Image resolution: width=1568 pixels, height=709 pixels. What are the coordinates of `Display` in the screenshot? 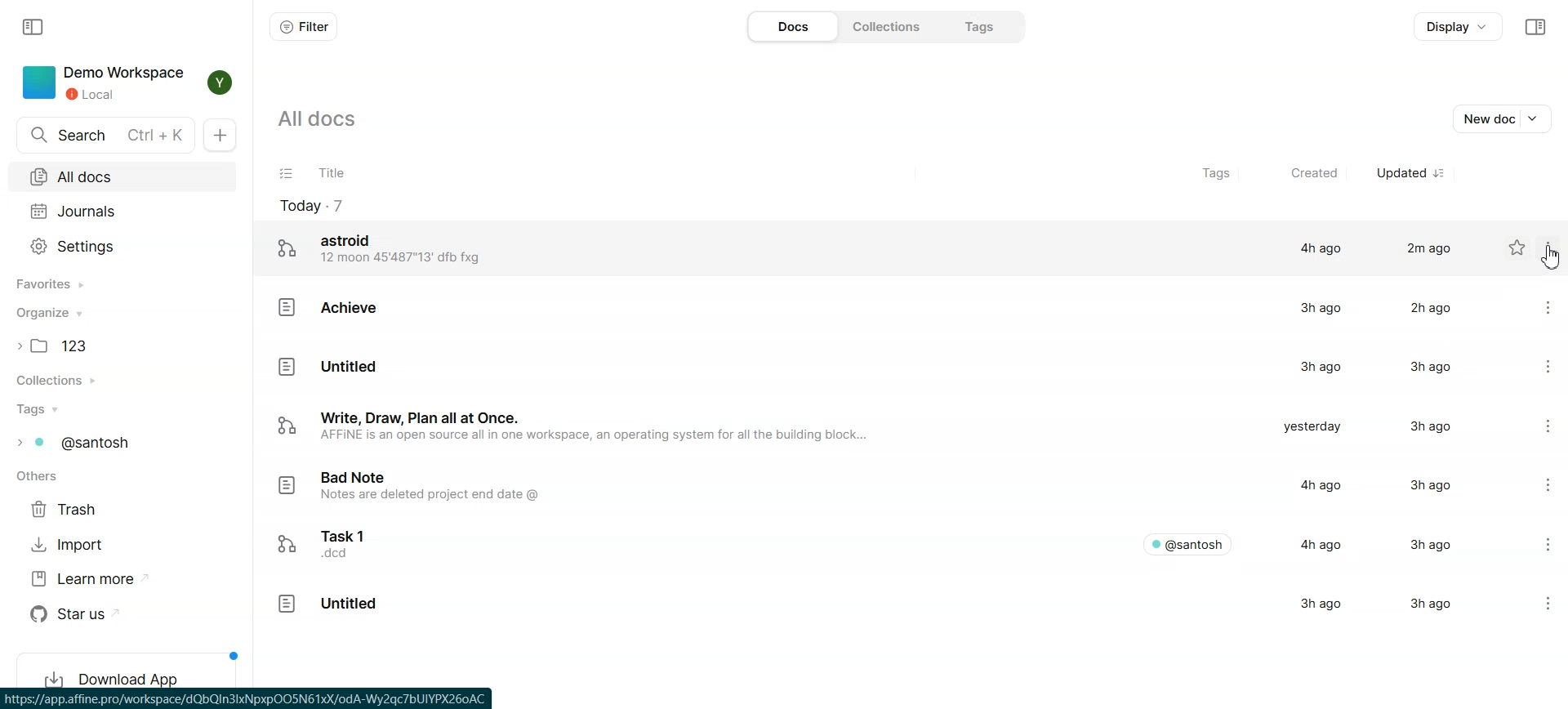 It's located at (1459, 26).